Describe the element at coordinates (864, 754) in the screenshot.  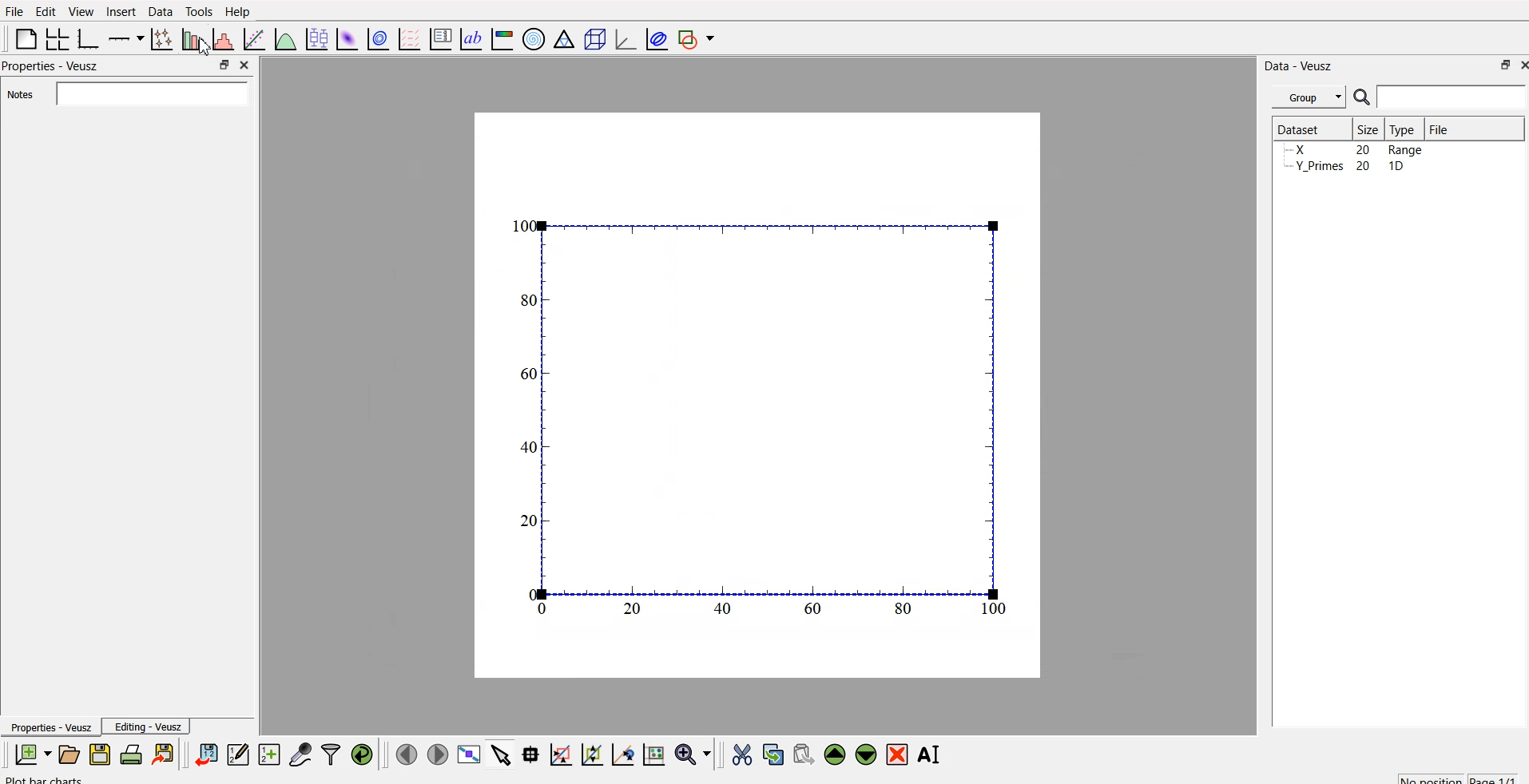
I see `move down the widget ` at that location.